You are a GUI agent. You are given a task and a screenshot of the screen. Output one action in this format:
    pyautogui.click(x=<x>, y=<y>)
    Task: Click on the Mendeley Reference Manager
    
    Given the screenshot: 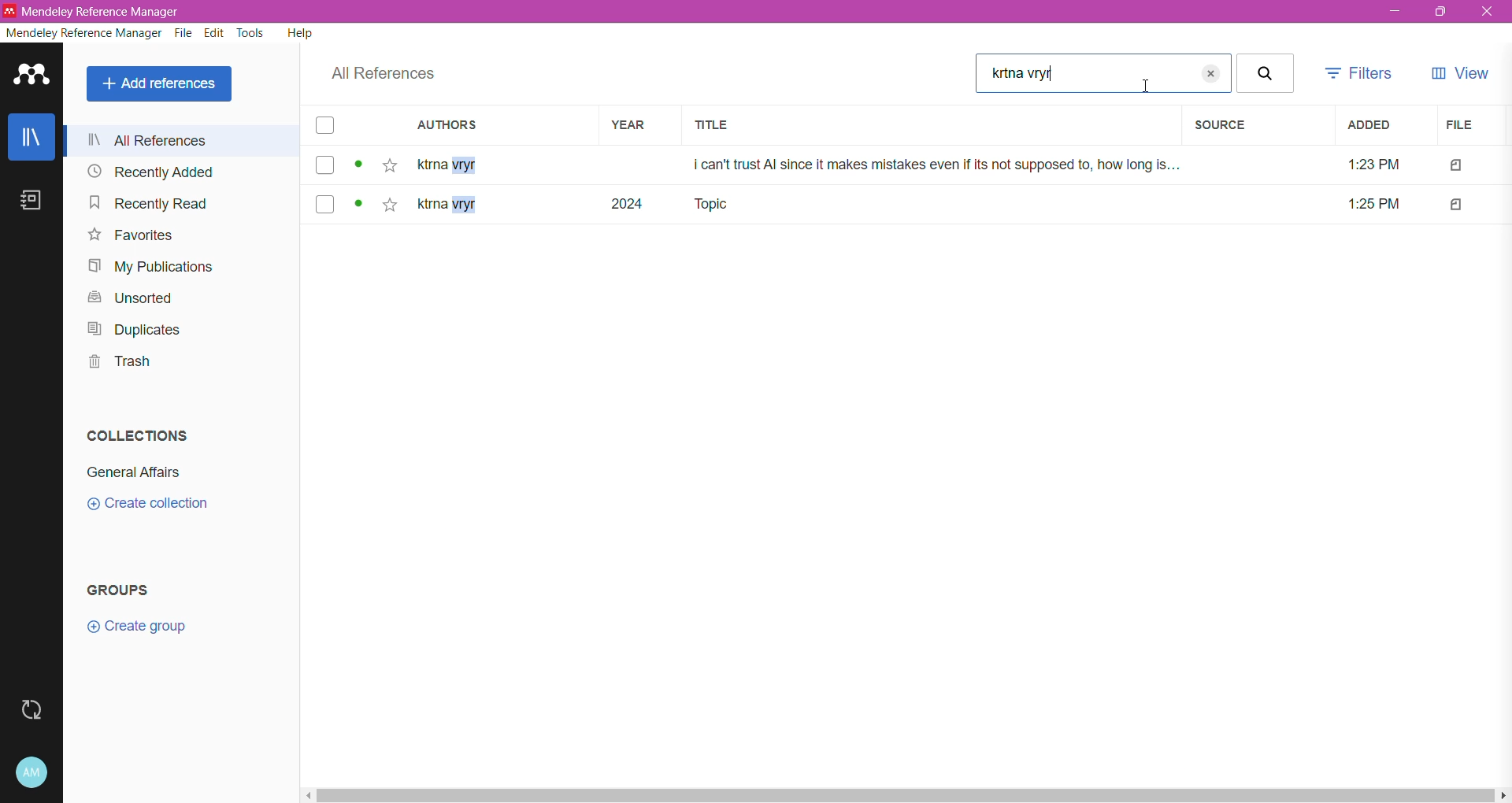 What is the action you would take?
    pyautogui.click(x=83, y=34)
    